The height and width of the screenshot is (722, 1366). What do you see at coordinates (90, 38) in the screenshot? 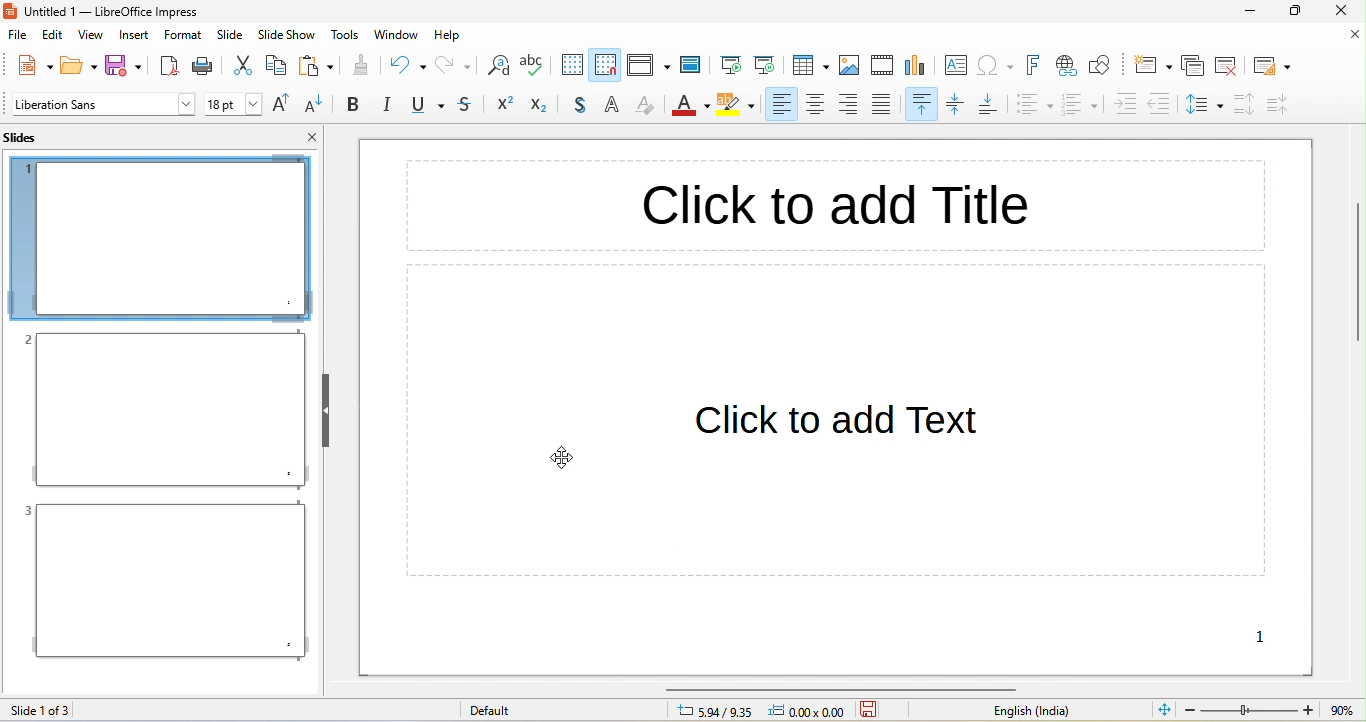
I see `view` at bounding box center [90, 38].